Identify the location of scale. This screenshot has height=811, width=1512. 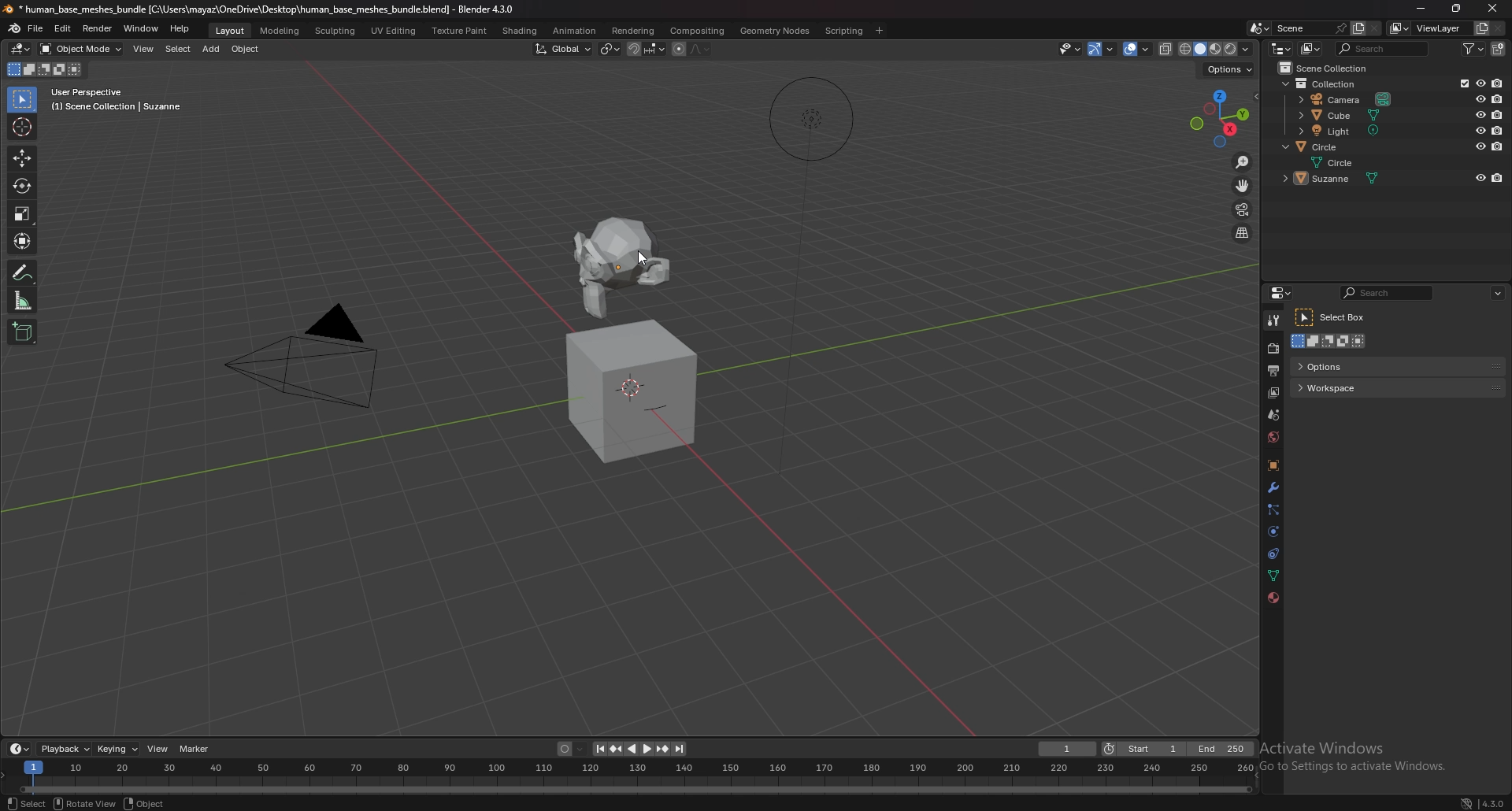
(23, 214).